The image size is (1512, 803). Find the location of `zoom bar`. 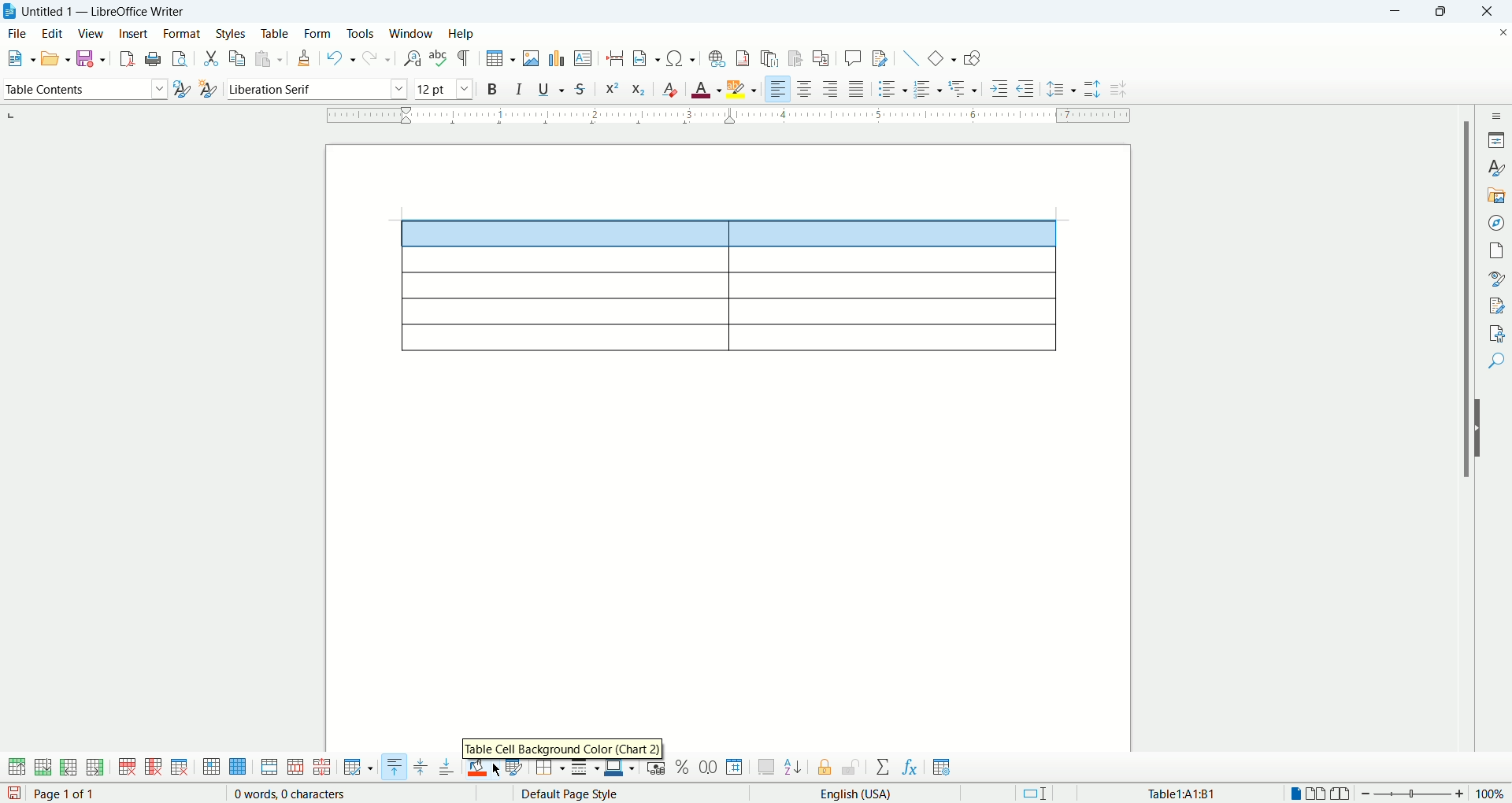

zoom bar is located at coordinates (1414, 794).